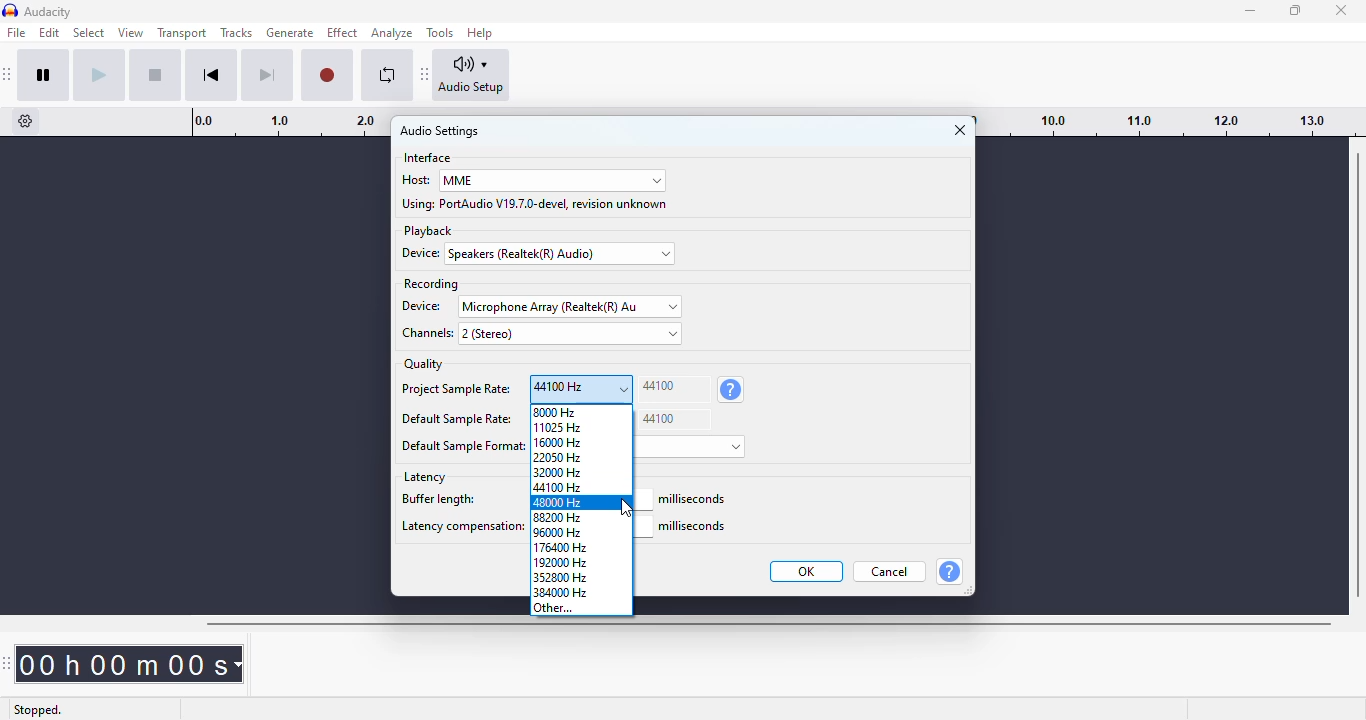  I want to click on vertical scrollbar, so click(1357, 375).